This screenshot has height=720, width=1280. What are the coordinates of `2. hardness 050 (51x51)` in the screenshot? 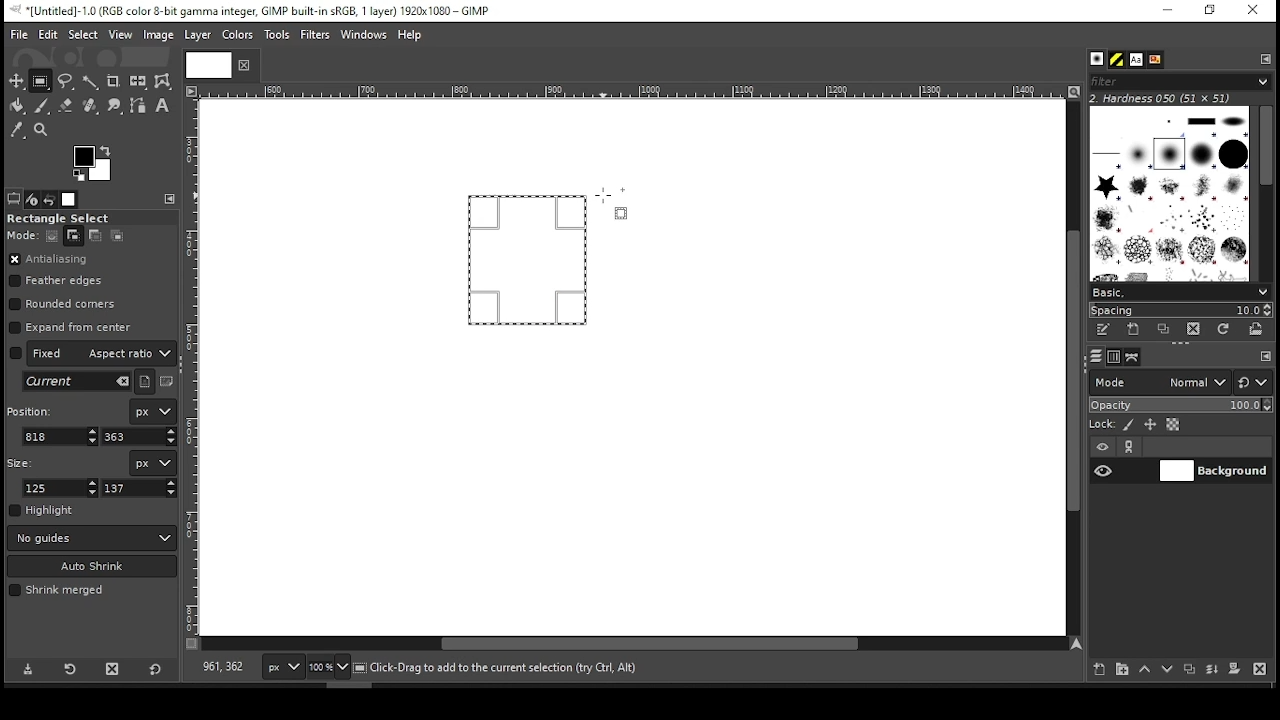 It's located at (1166, 98).